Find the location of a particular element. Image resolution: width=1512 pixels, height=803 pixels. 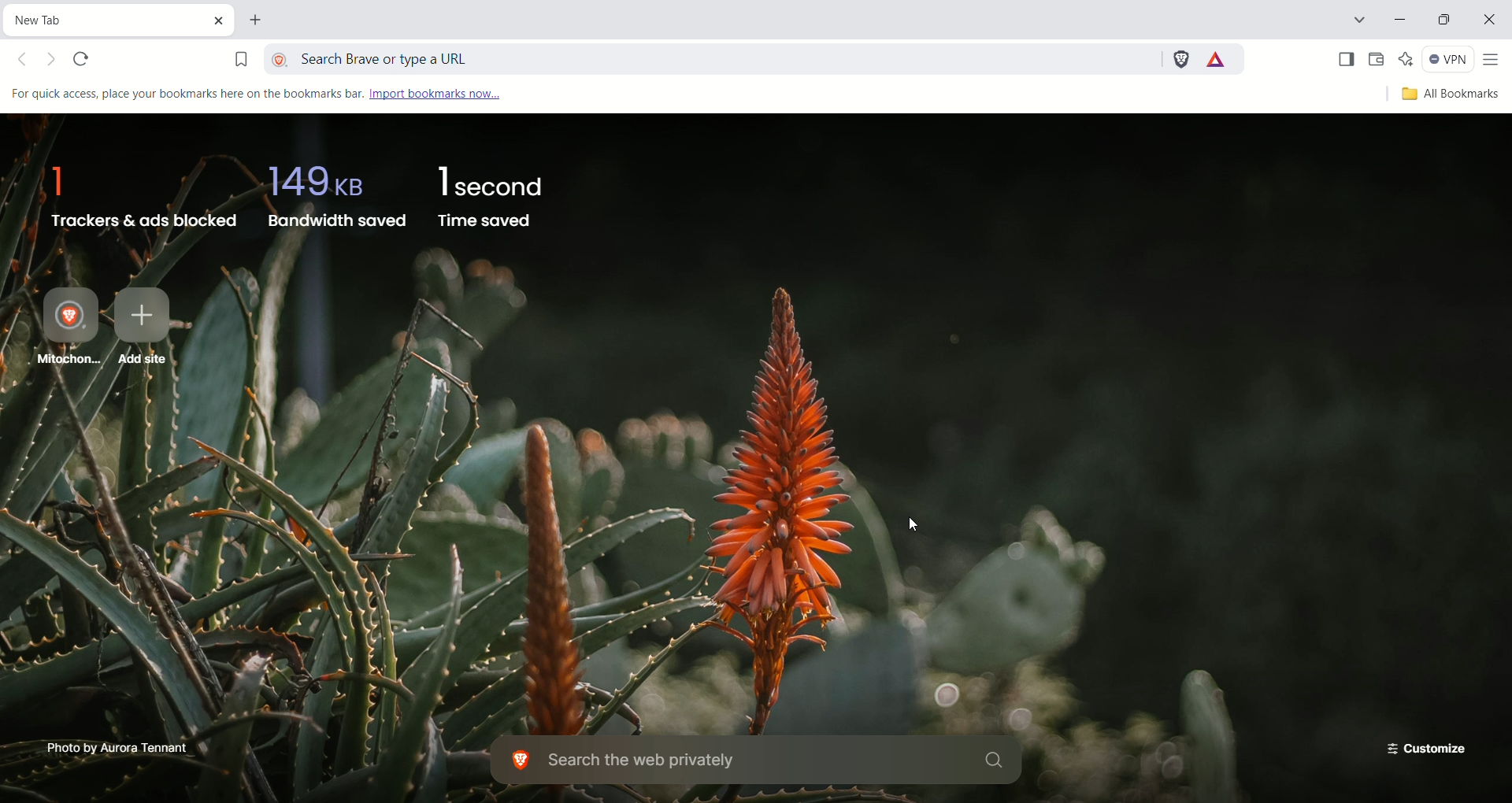

reload this page is located at coordinates (83, 61).